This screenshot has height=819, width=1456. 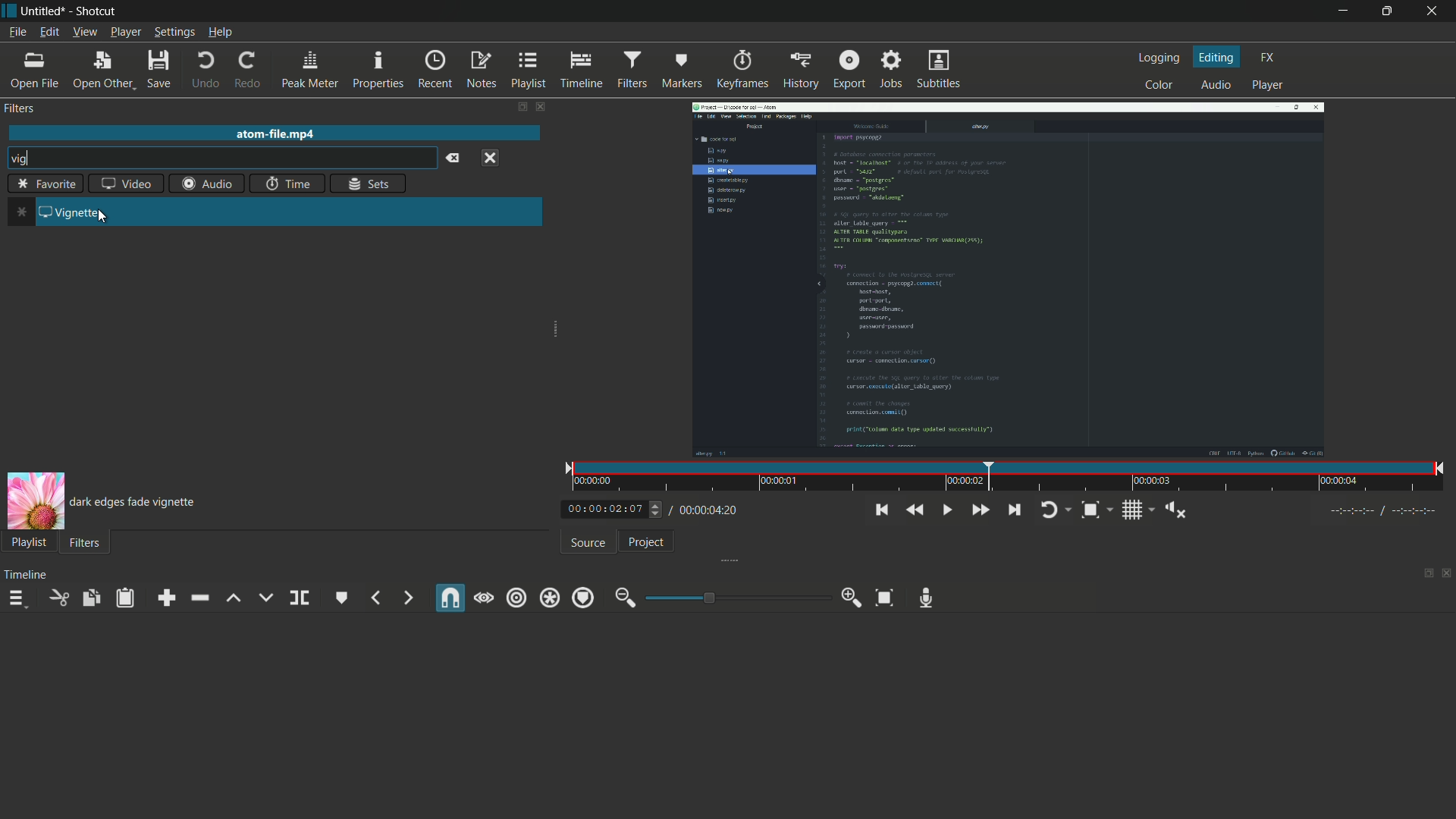 What do you see at coordinates (127, 598) in the screenshot?
I see `paste filters` at bounding box center [127, 598].